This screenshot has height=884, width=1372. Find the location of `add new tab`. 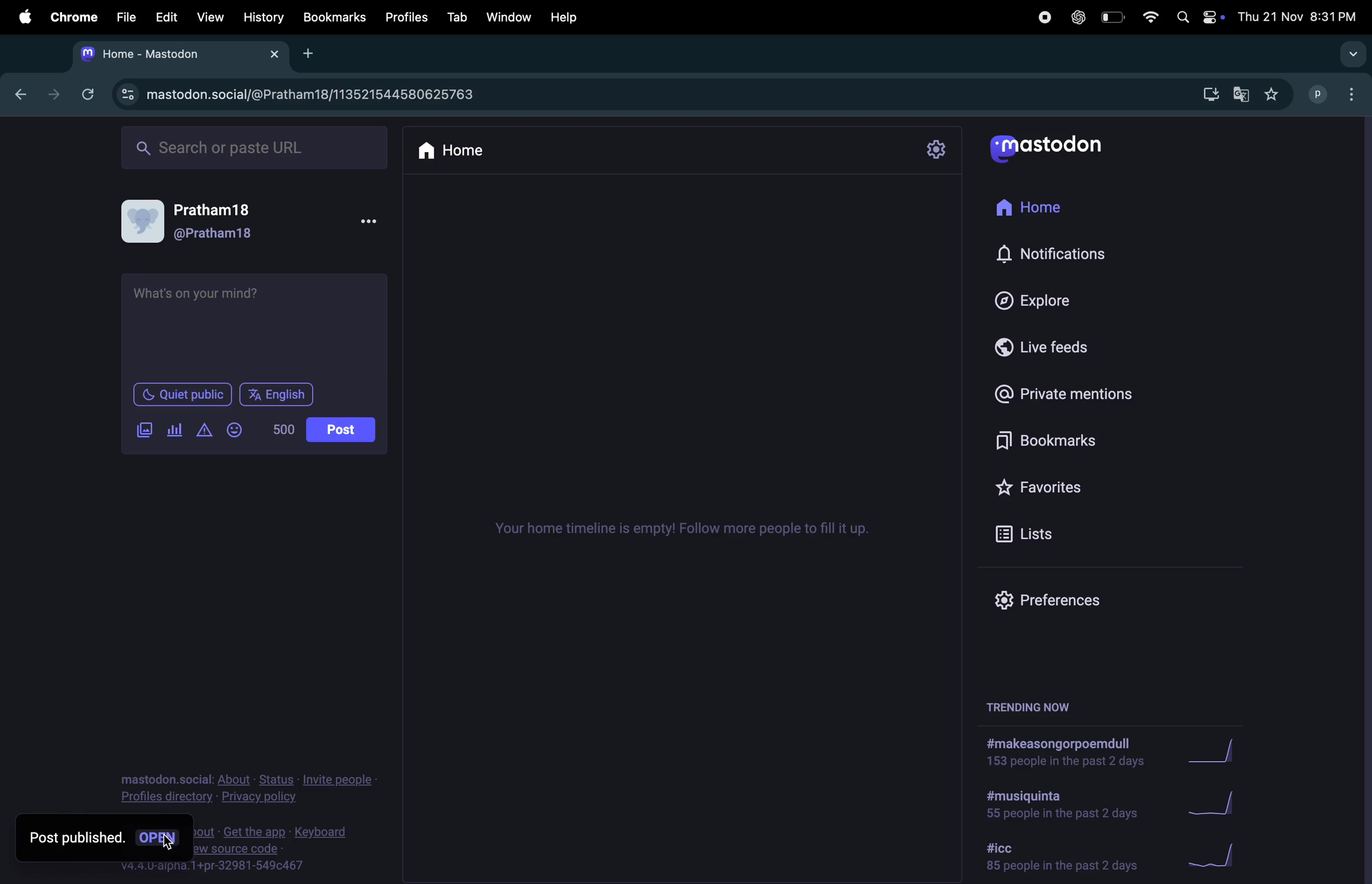

add new tab is located at coordinates (314, 55).